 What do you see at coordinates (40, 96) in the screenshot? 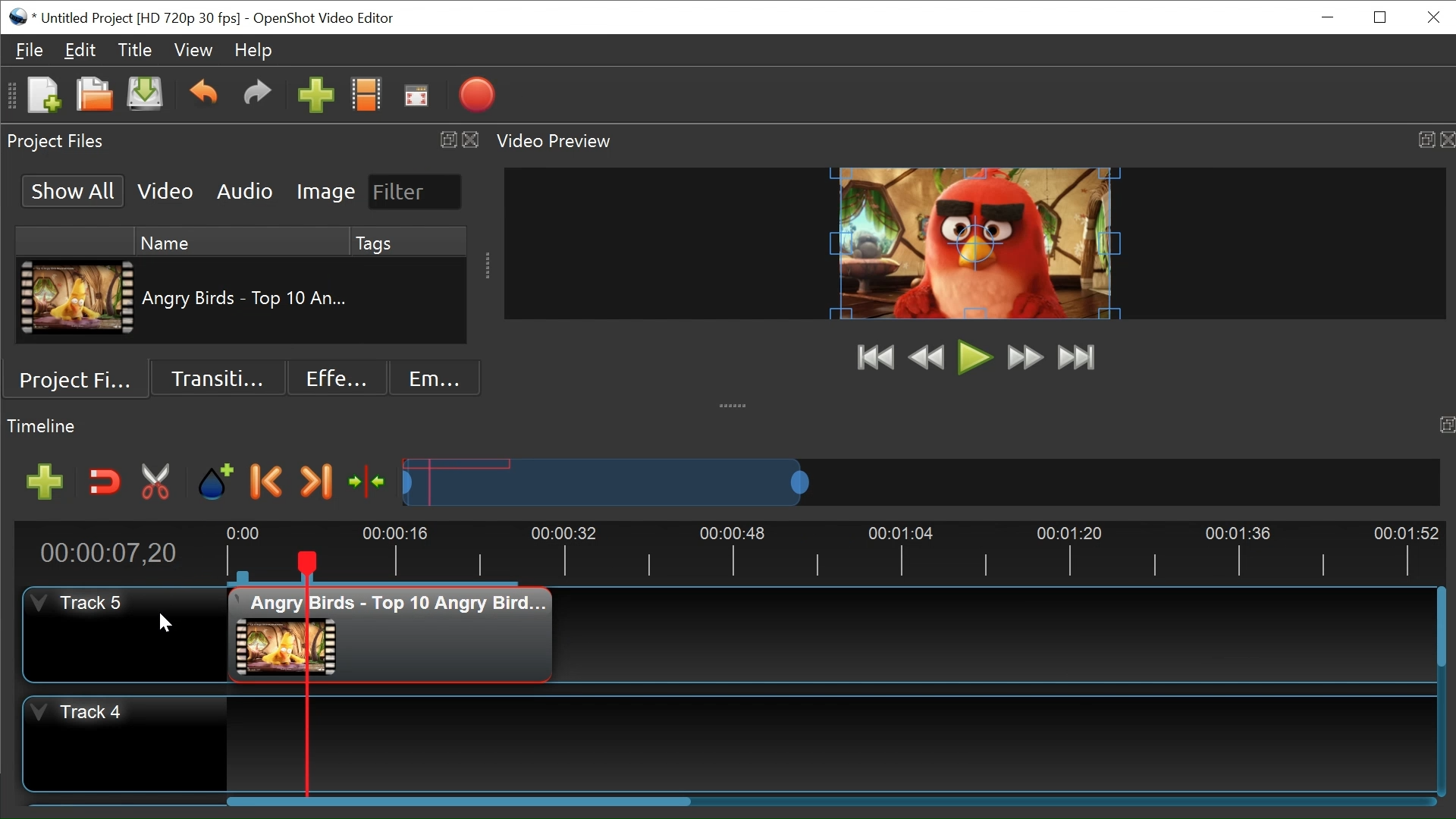
I see `New File` at bounding box center [40, 96].